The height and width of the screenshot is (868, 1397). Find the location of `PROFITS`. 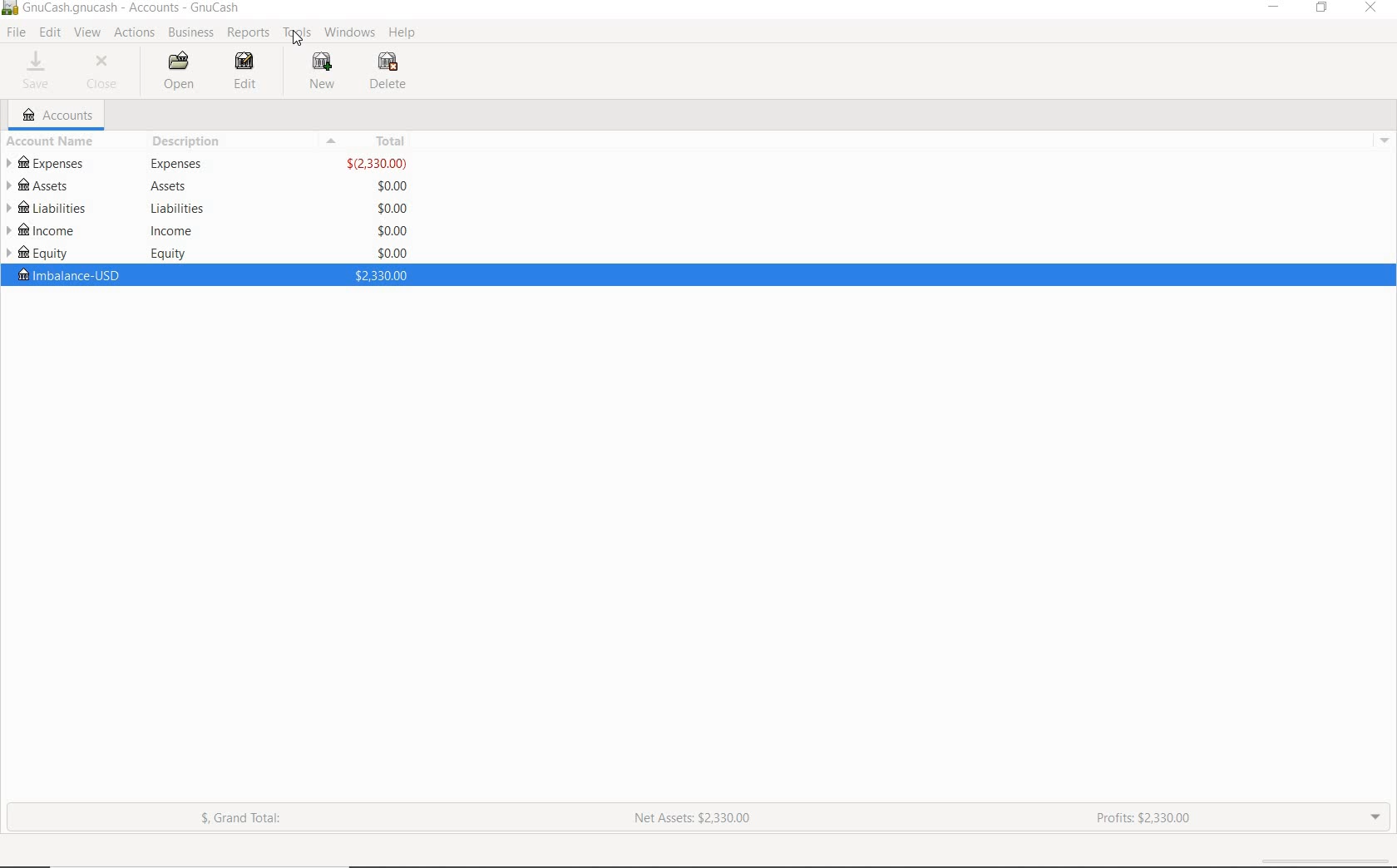

PROFITS is located at coordinates (1140, 818).